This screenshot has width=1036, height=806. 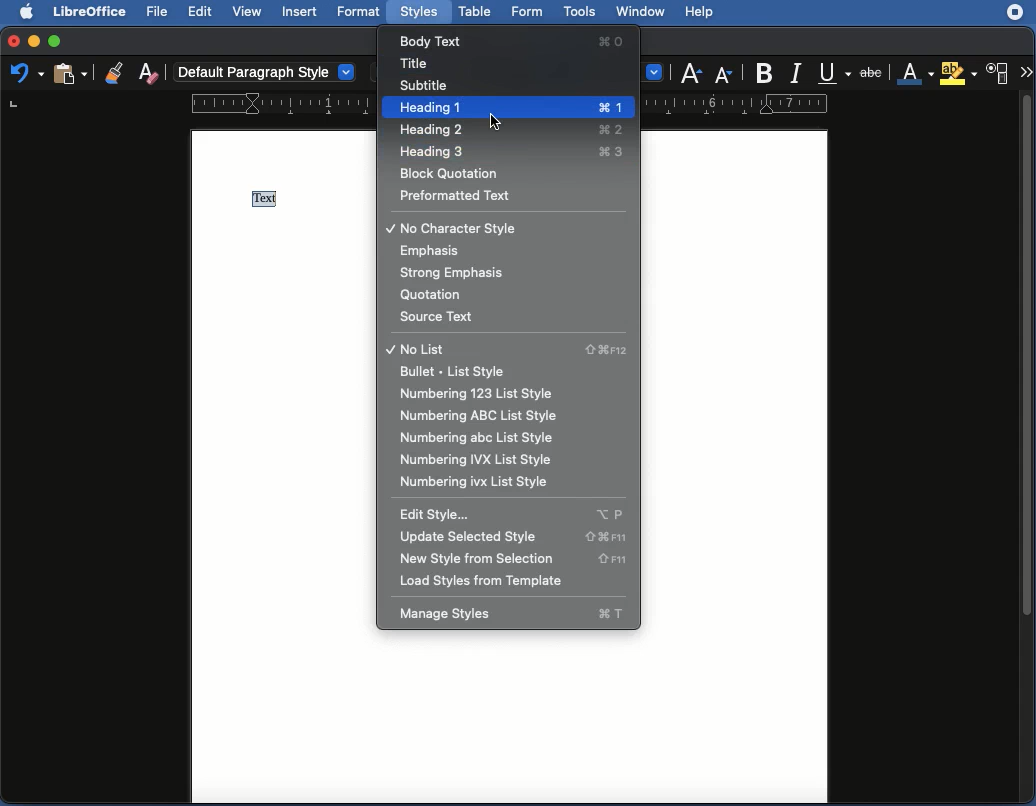 What do you see at coordinates (12, 40) in the screenshot?
I see `Close` at bounding box center [12, 40].